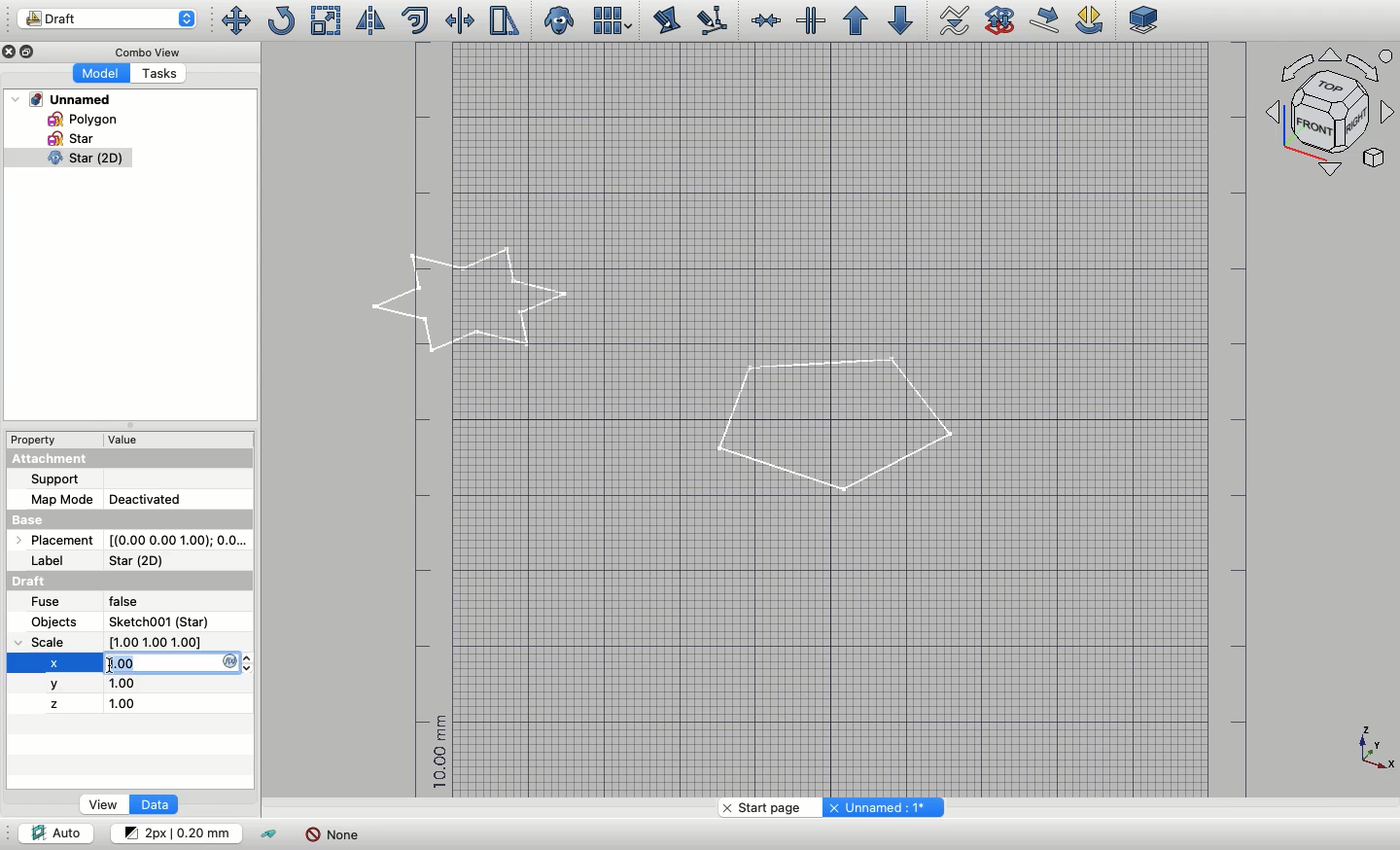 The image size is (1400, 850). Describe the element at coordinates (157, 73) in the screenshot. I see `Tasks` at that location.